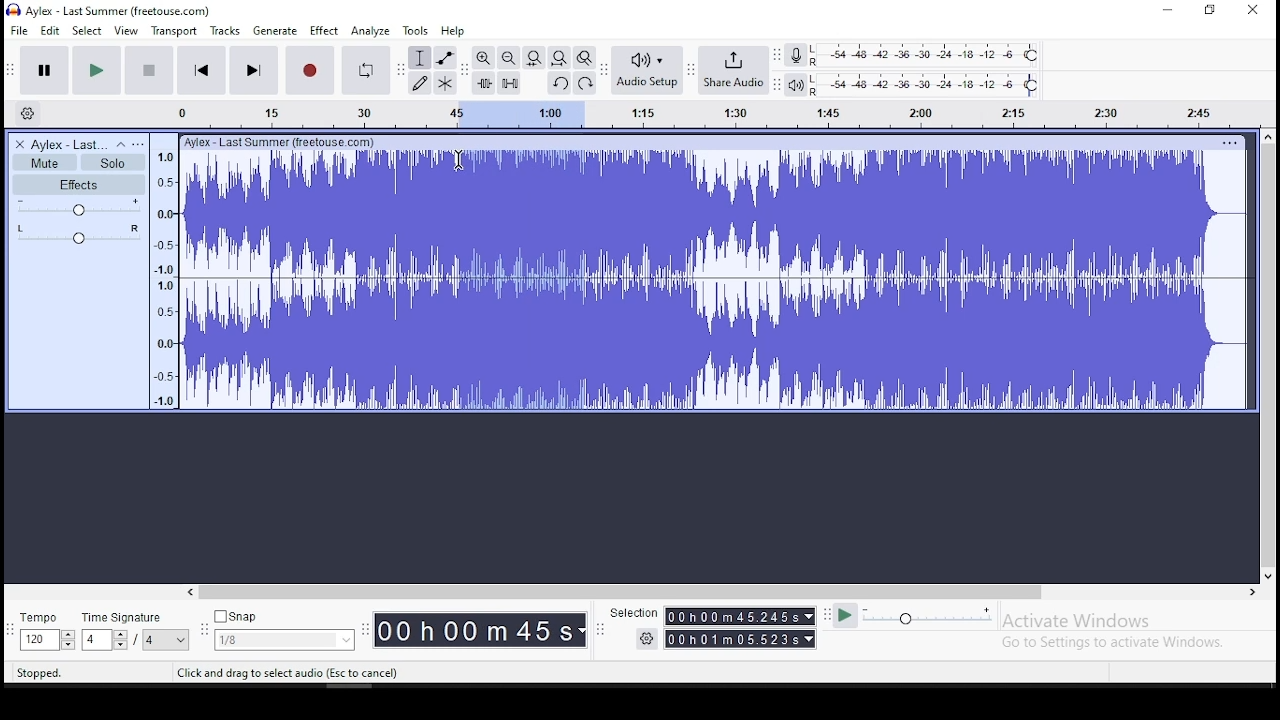 Image resolution: width=1280 pixels, height=720 pixels. What do you see at coordinates (70, 145) in the screenshot?
I see `audio` at bounding box center [70, 145].